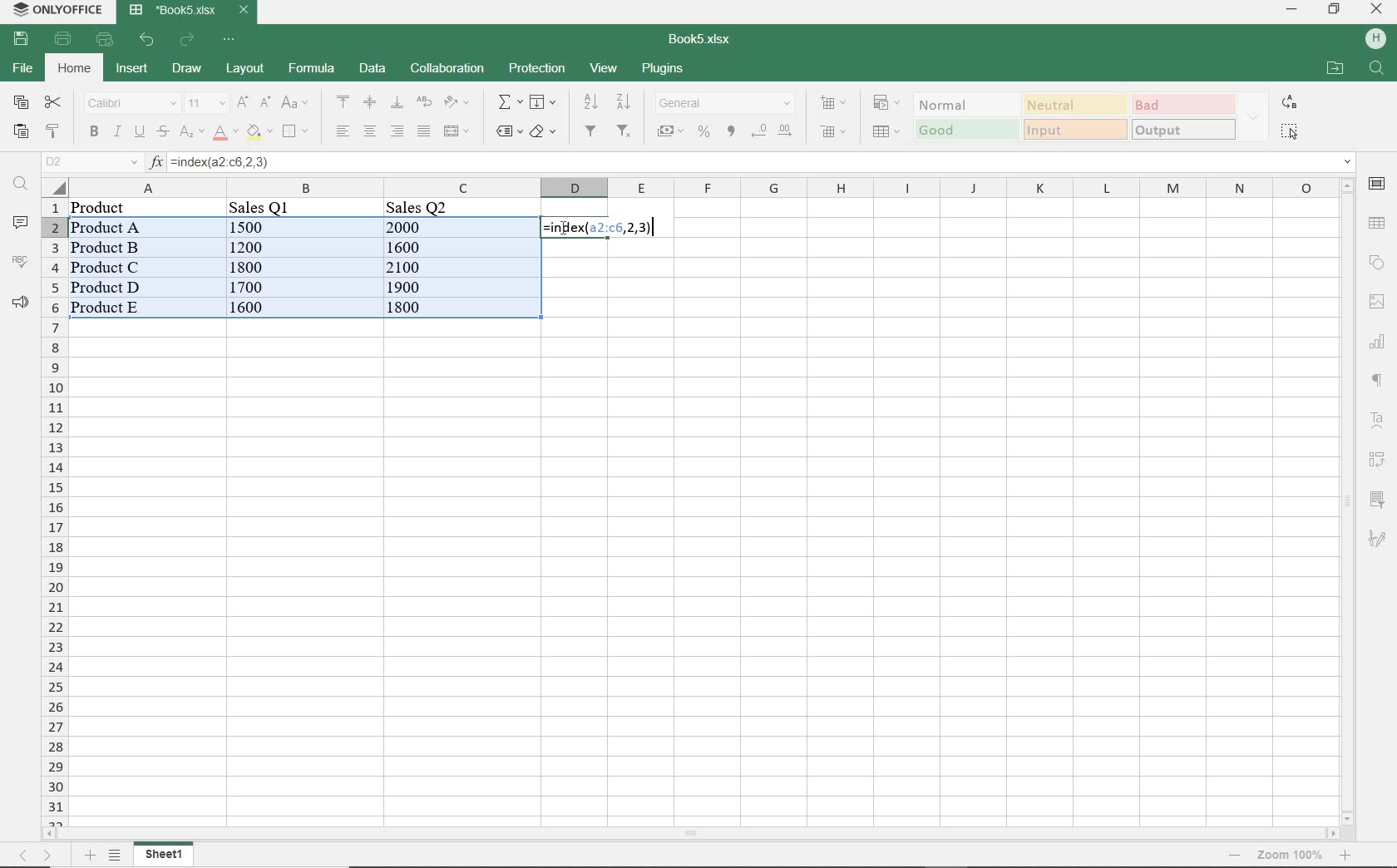  What do you see at coordinates (705, 133) in the screenshot?
I see `percent style` at bounding box center [705, 133].